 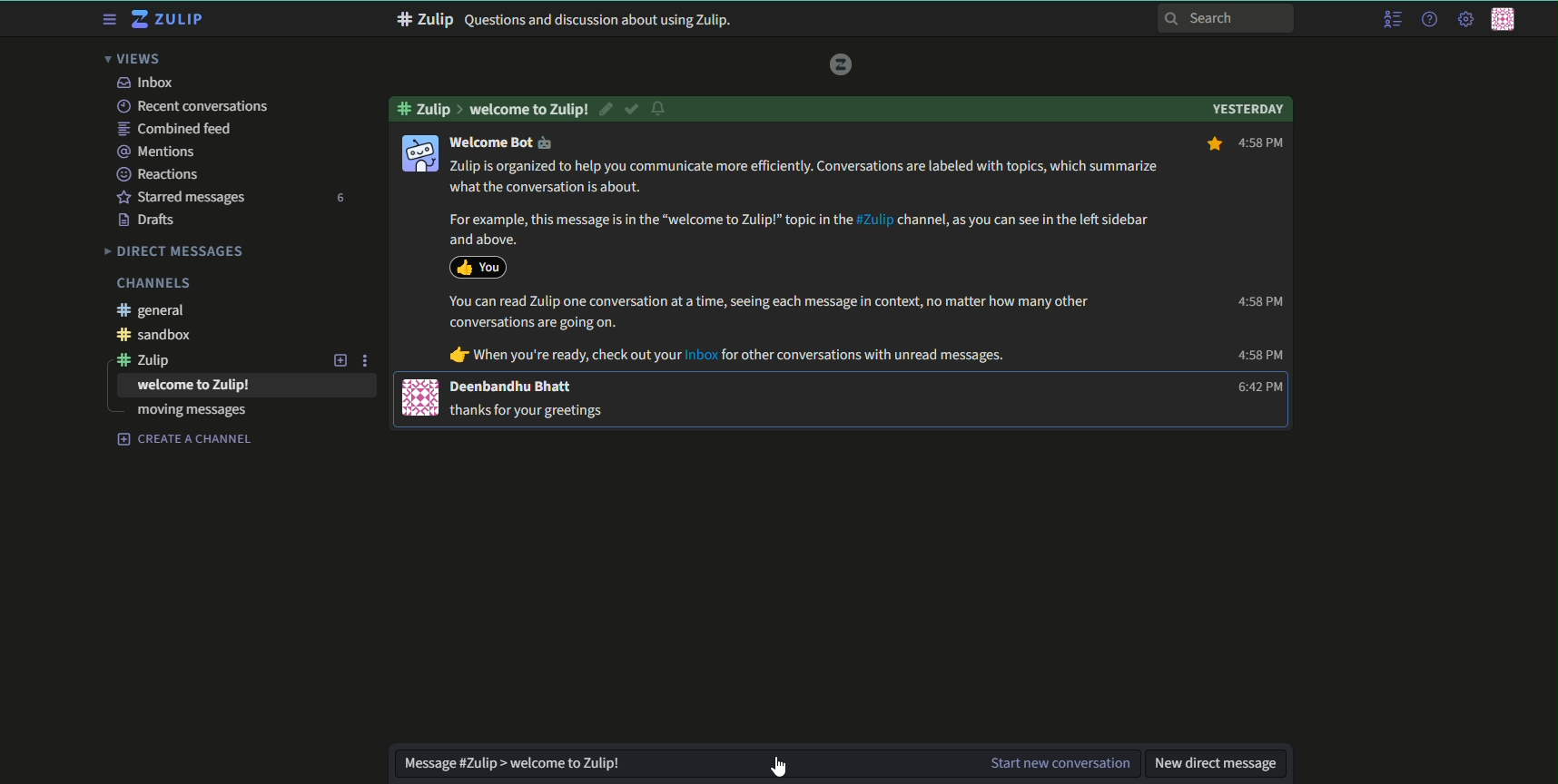 What do you see at coordinates (192, 106) in the screenshot?
I see `recent conversations` at bounding box center [192, 106].